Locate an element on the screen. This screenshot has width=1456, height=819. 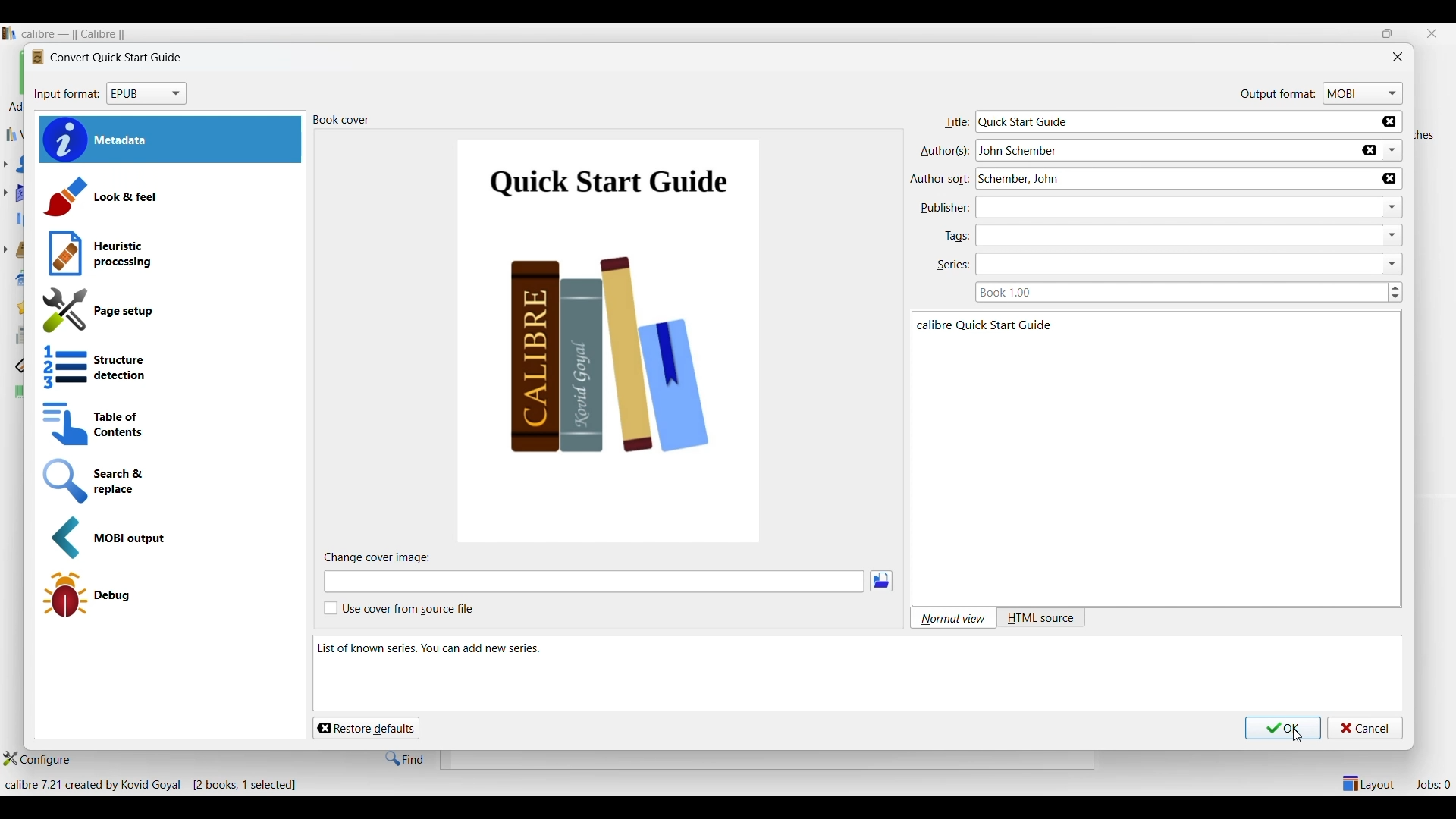
Delete title is located at coordinates (1392, 123).